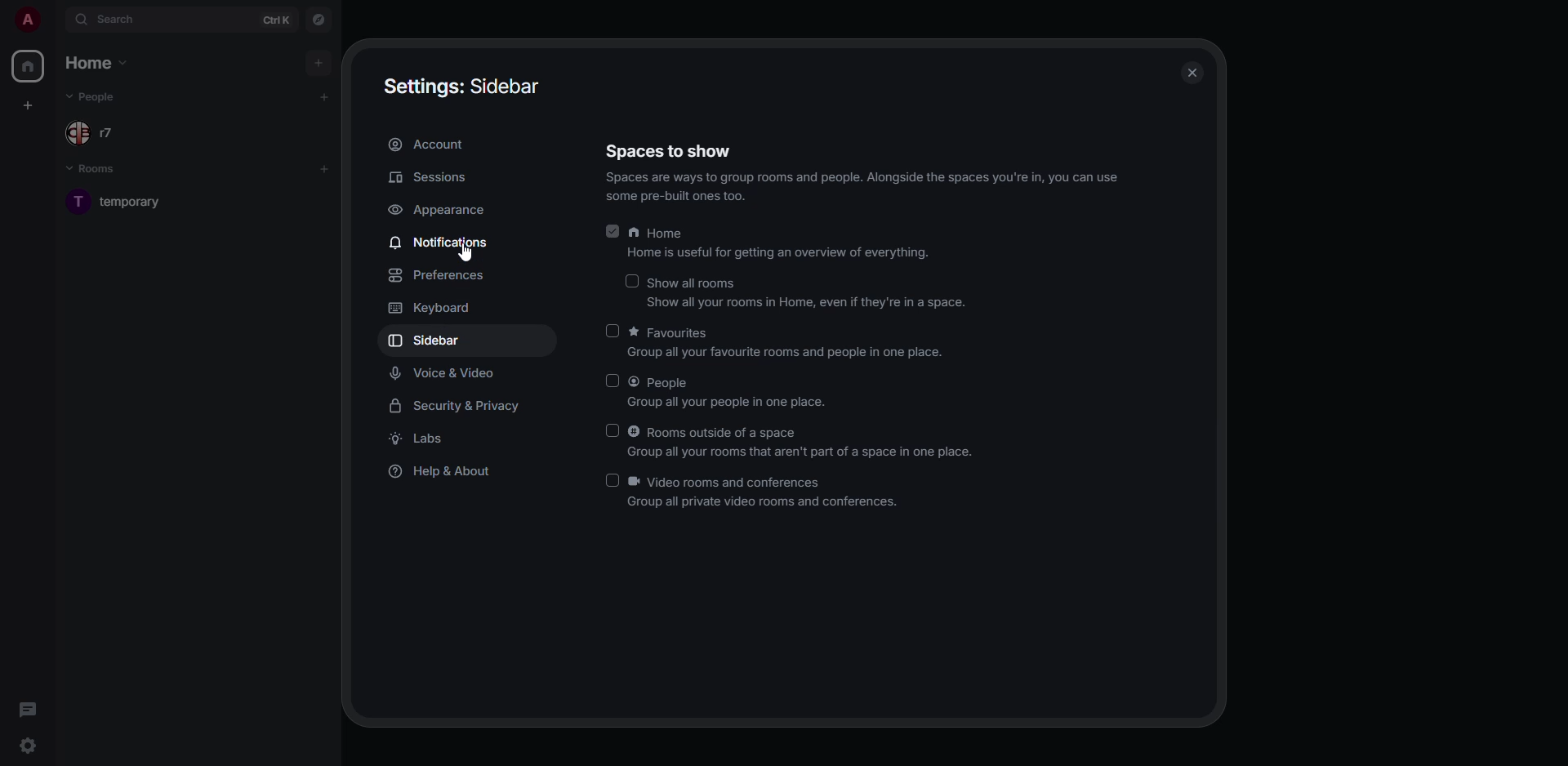 This screenshot has width=1568, height=766. Describe the element at coordinates (433, 176) in the screenshot. I see `sessions` at that location.